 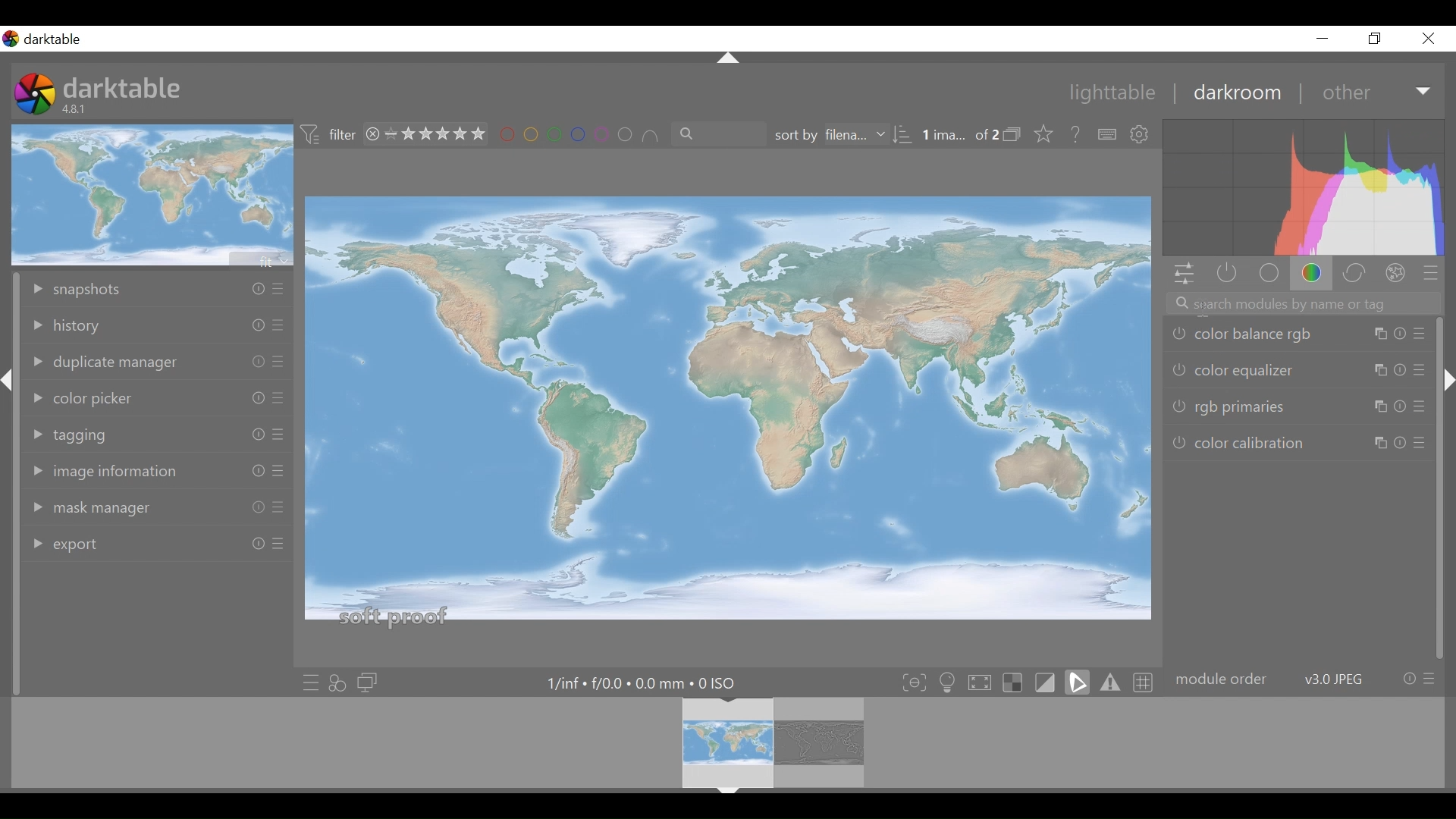 What do you see at coordinates (1311, 272) in the screenshot?
I see `color` at bounding box center [1311, 272].